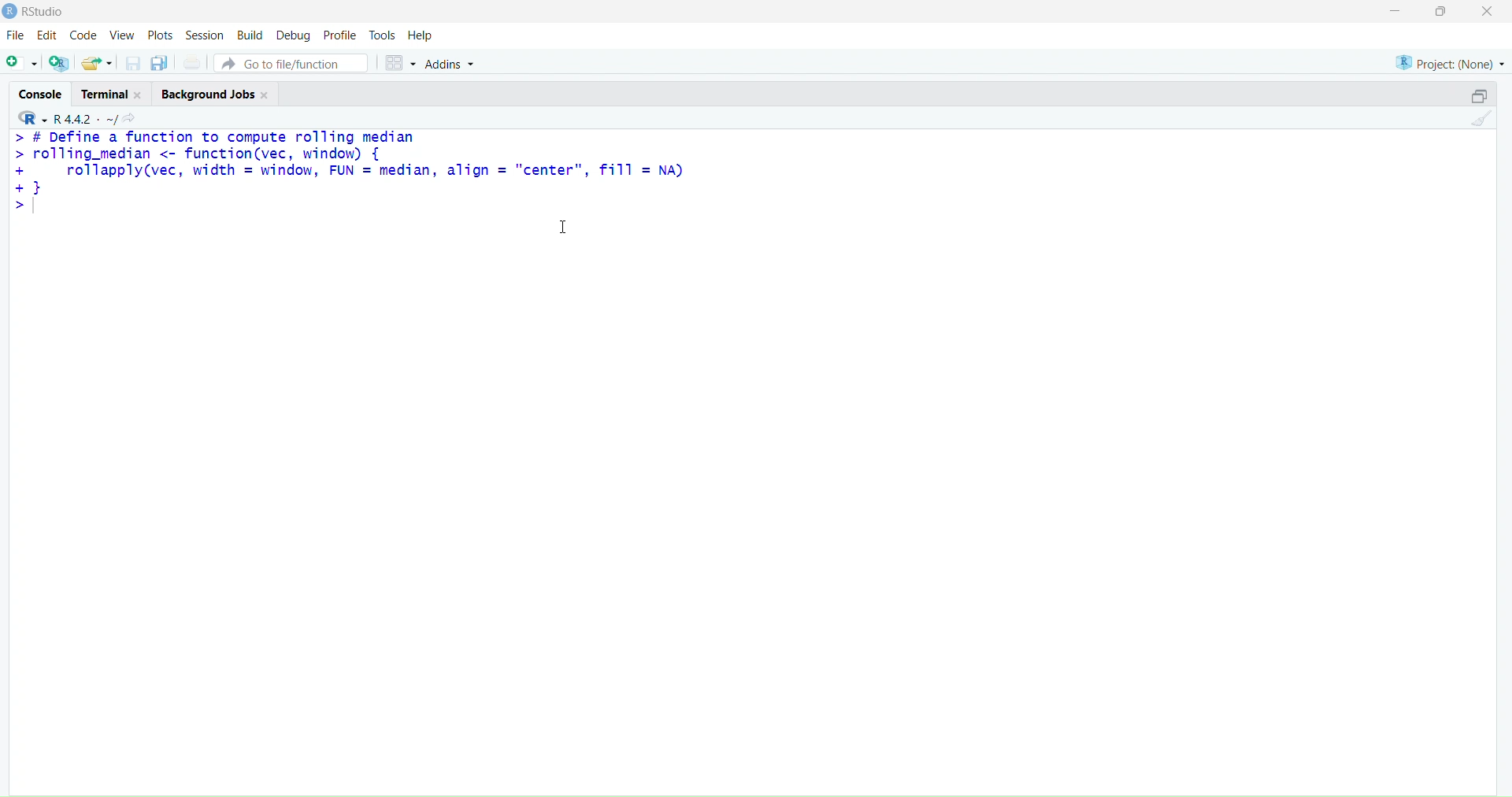 The height and width of the screenshot is (797, 1512). I want to click on session, so click(206, 36).